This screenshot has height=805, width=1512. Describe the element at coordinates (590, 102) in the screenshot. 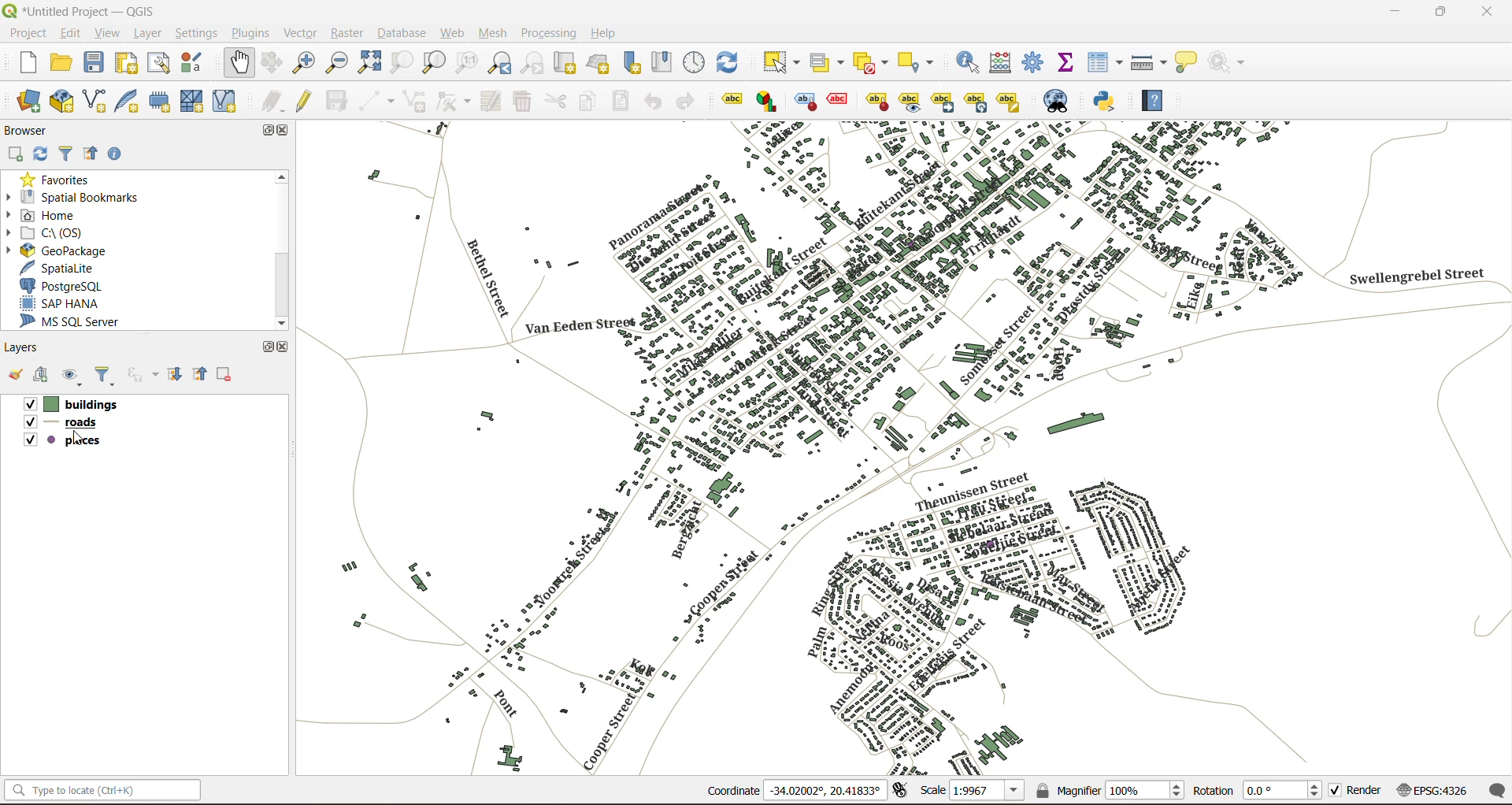

I see `copy` at that location.